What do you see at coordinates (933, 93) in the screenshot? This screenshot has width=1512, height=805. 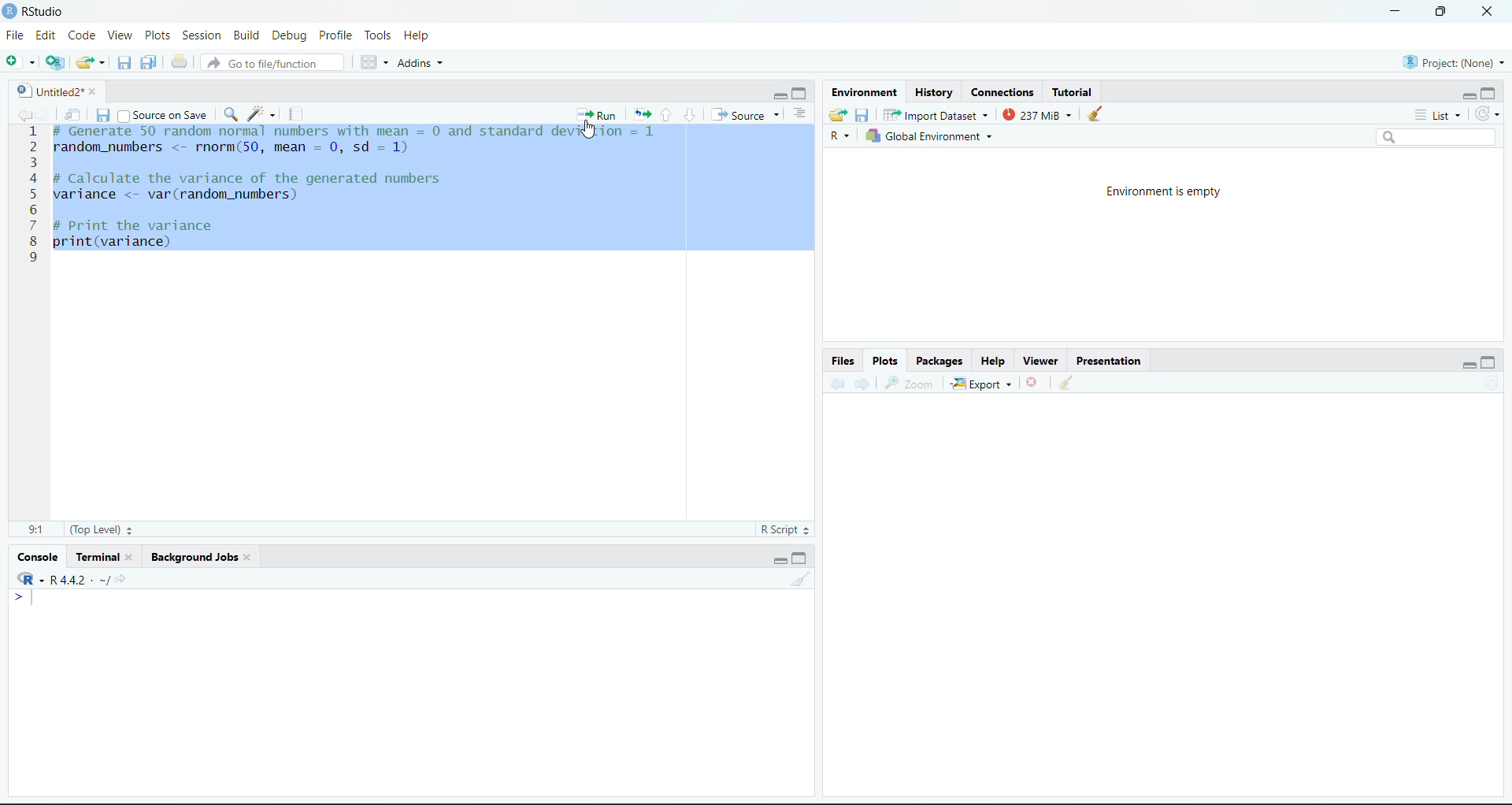 I see `History` at bounding box center [933, 93].